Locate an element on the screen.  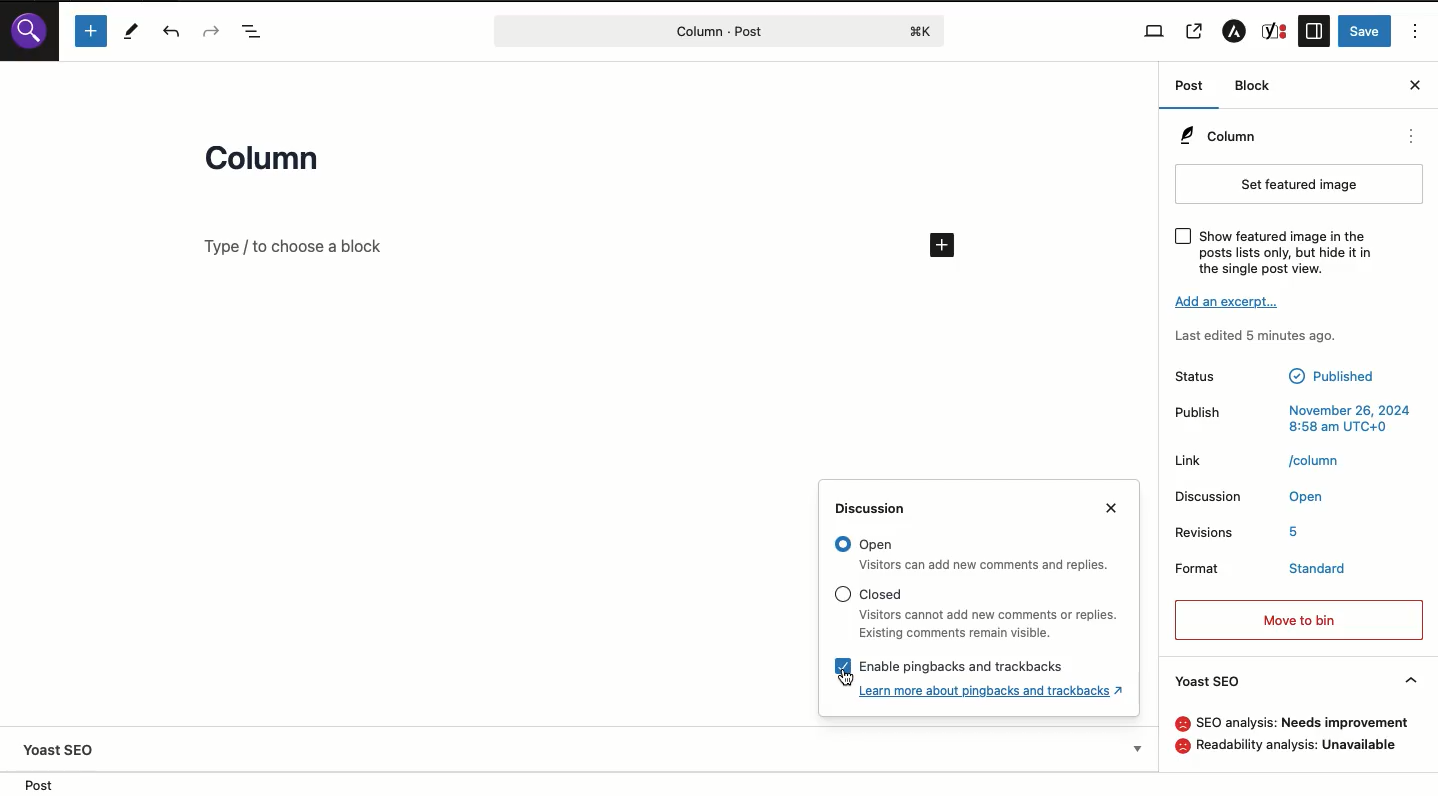
Close is located at coordinates (1111, 507).